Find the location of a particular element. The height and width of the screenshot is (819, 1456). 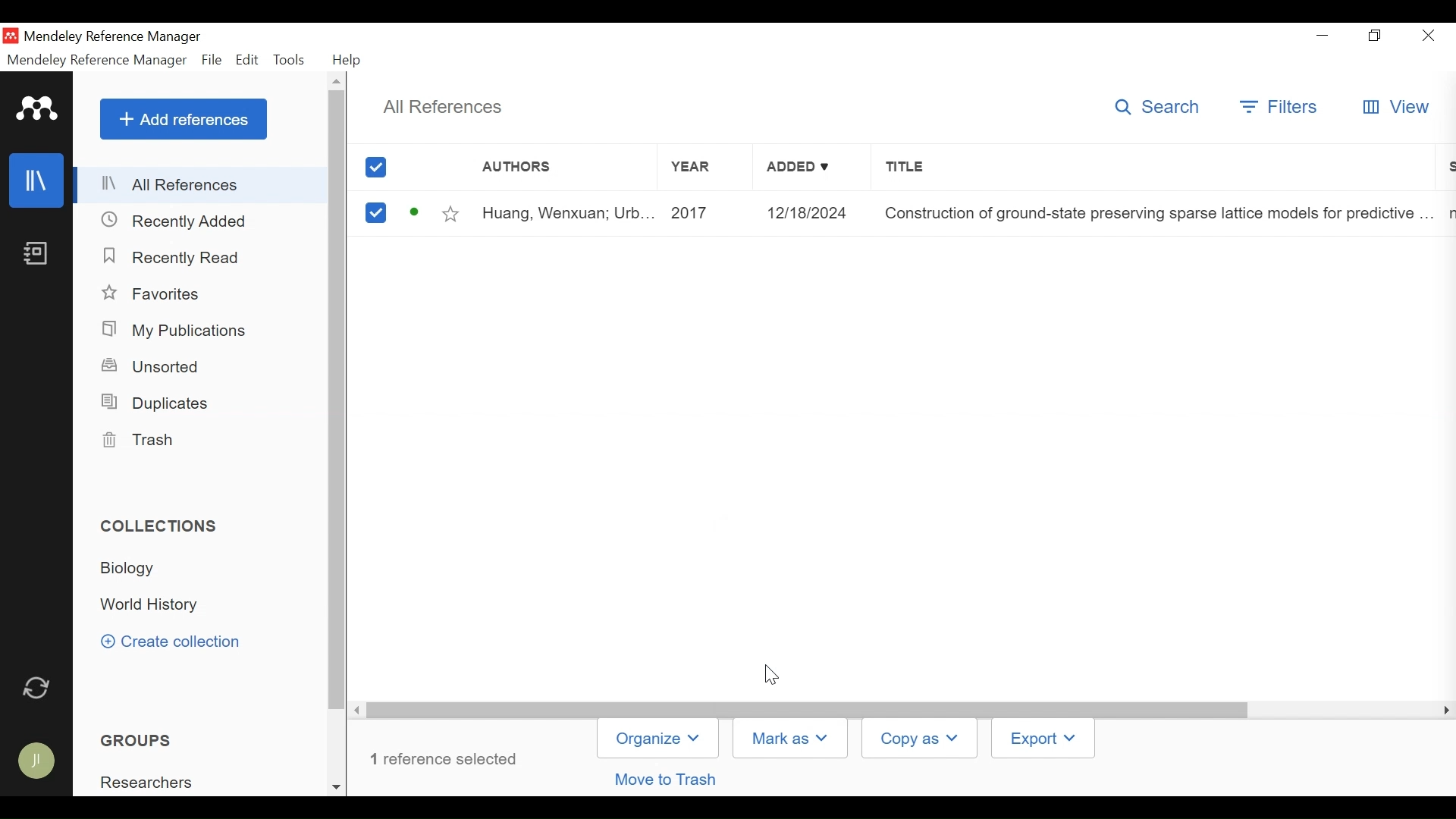

Title is located at coordinates (1158, 170).